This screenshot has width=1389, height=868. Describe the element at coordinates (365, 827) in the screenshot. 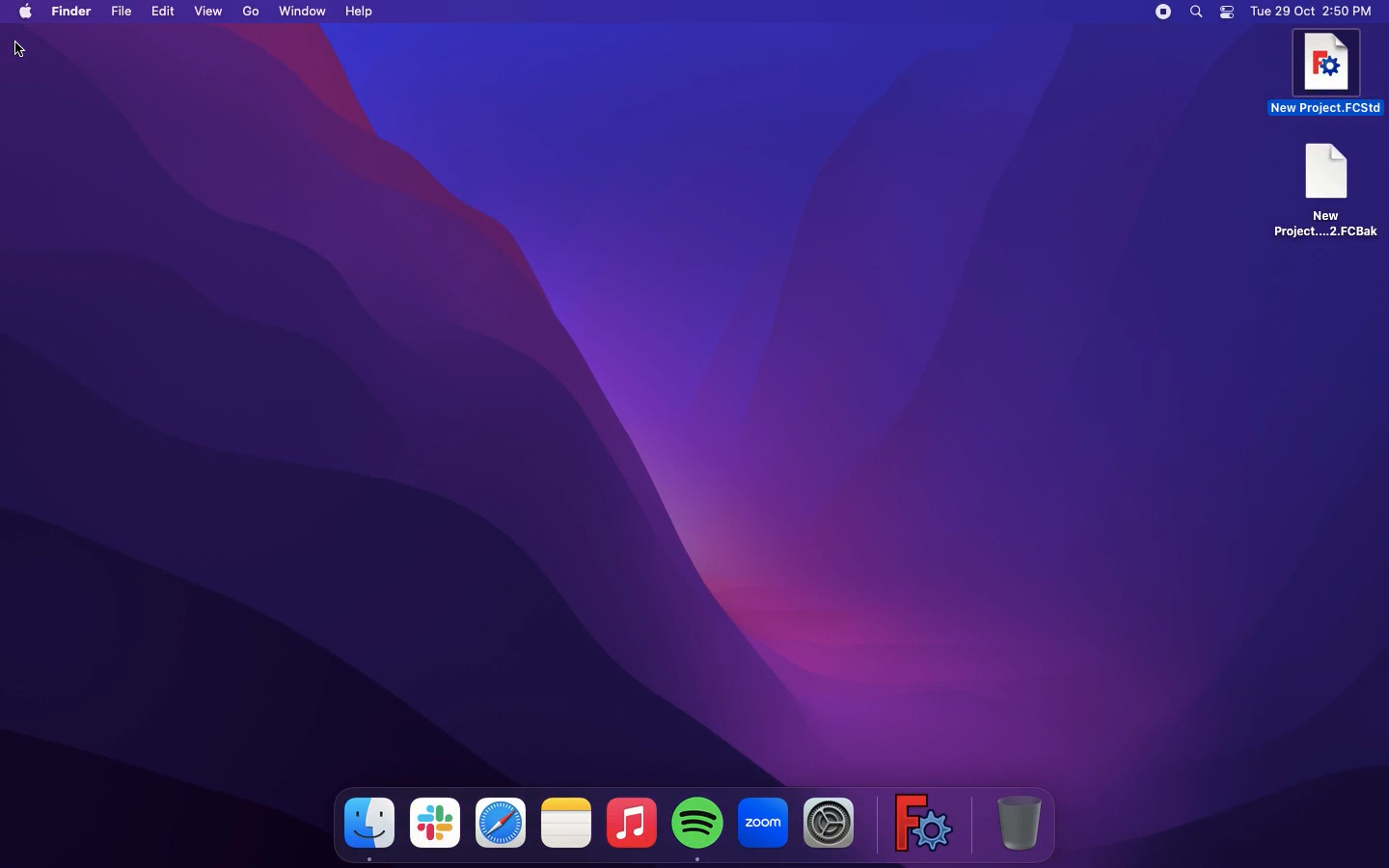

I see `Finder` at that location.